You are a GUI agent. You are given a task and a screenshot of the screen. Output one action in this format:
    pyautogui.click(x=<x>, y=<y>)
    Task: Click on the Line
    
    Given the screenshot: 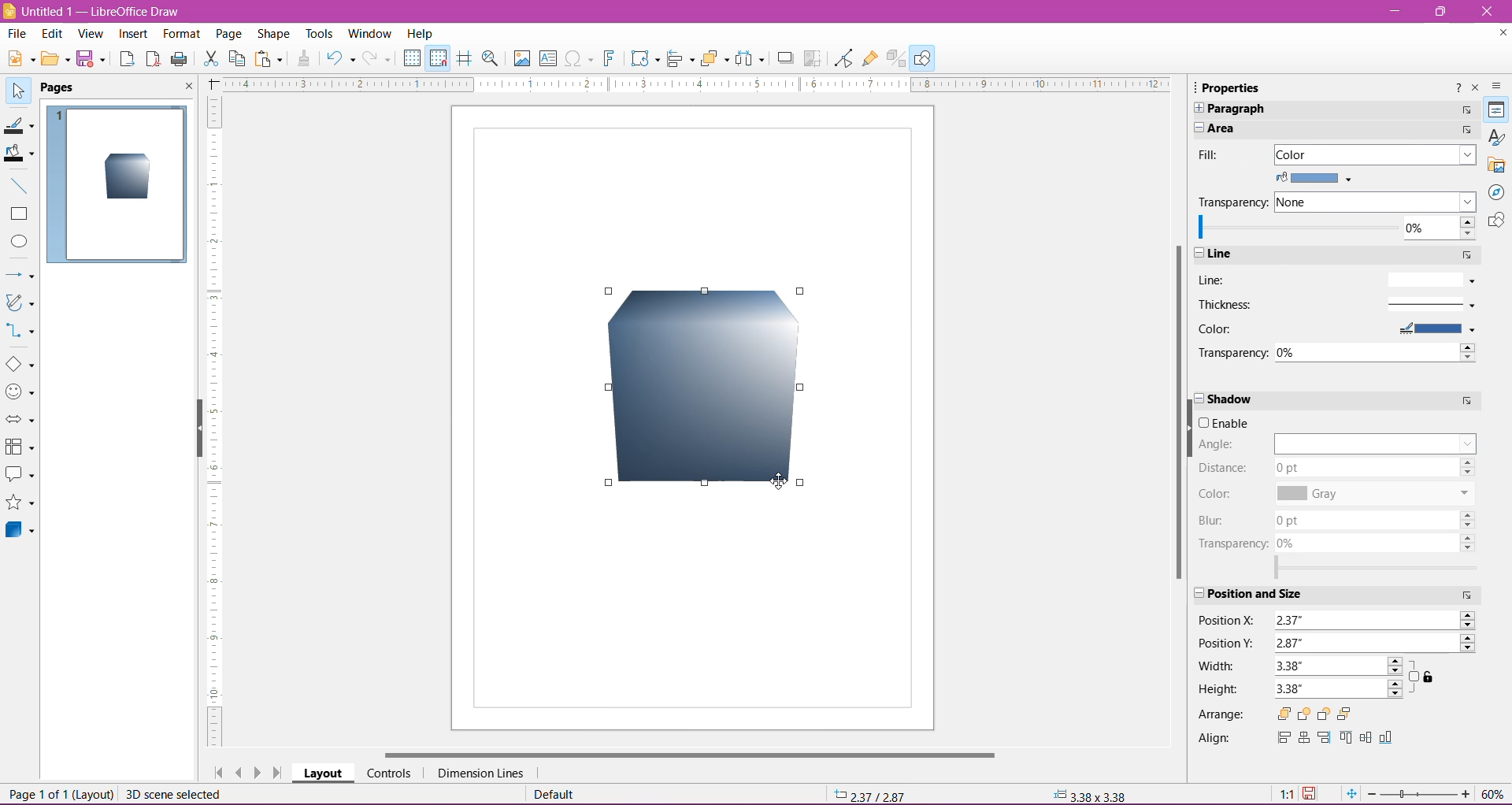 What is the action you would take?
    pyautogui.click(x=1321, y=254)
    